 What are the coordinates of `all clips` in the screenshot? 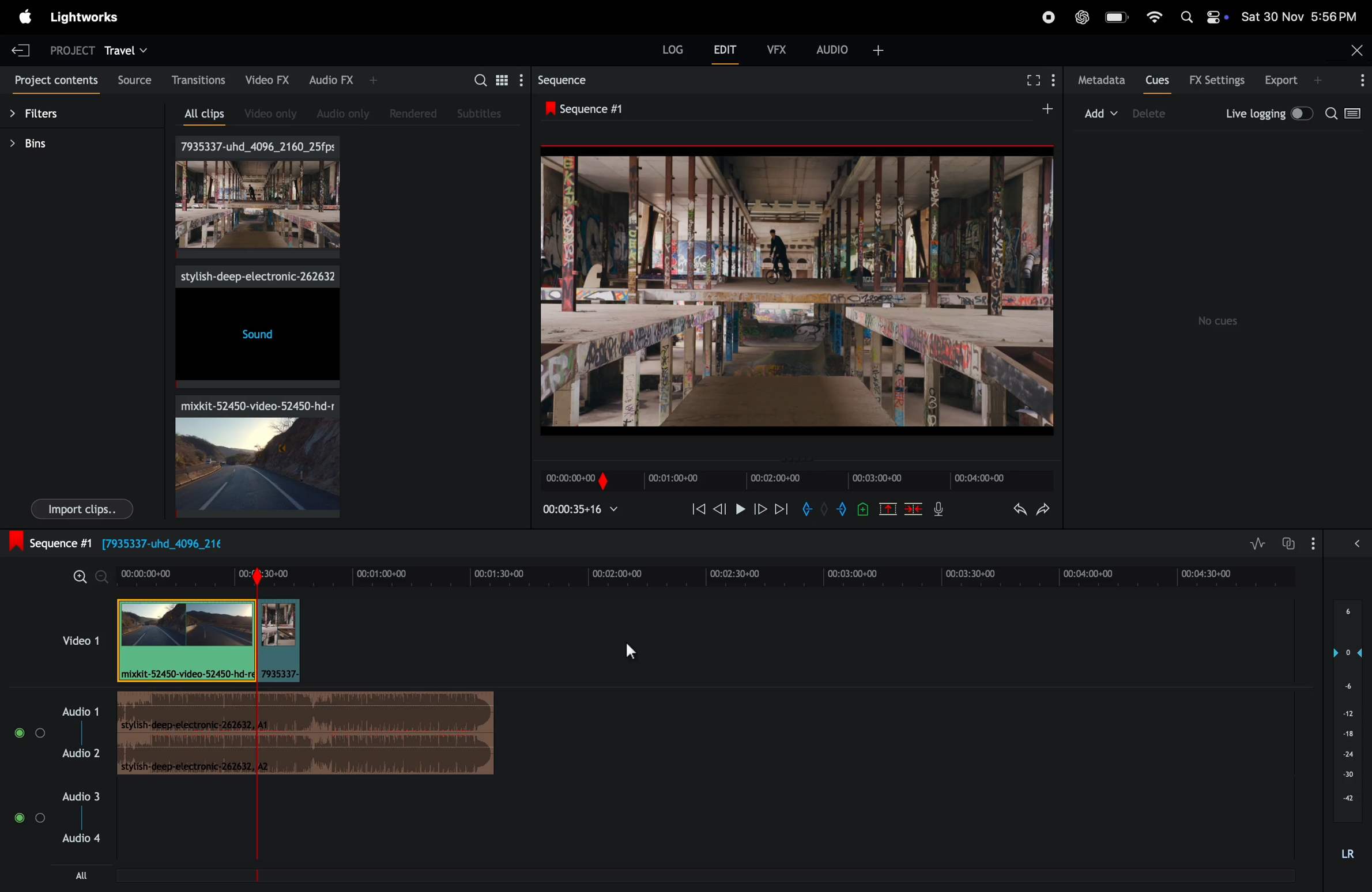 It's located at (198, 115).